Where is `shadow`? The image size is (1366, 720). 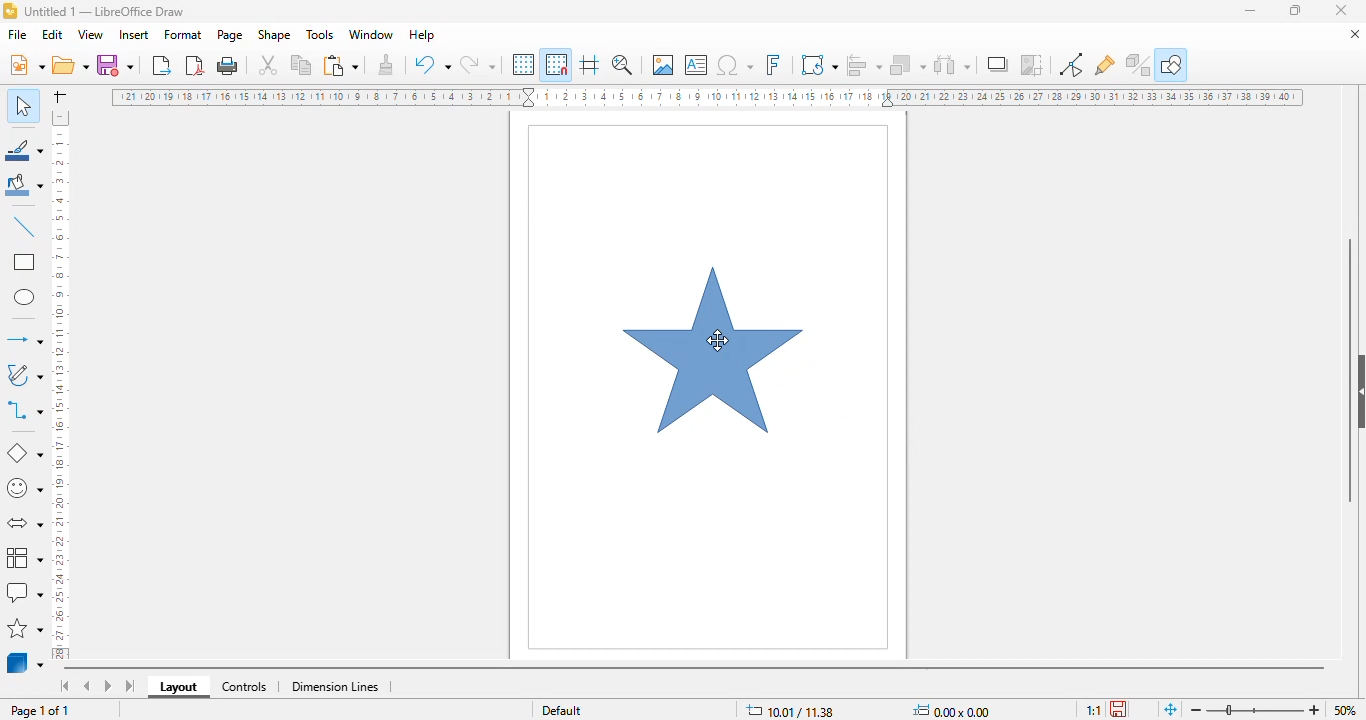
shadow is located at coordinates (998, 64).